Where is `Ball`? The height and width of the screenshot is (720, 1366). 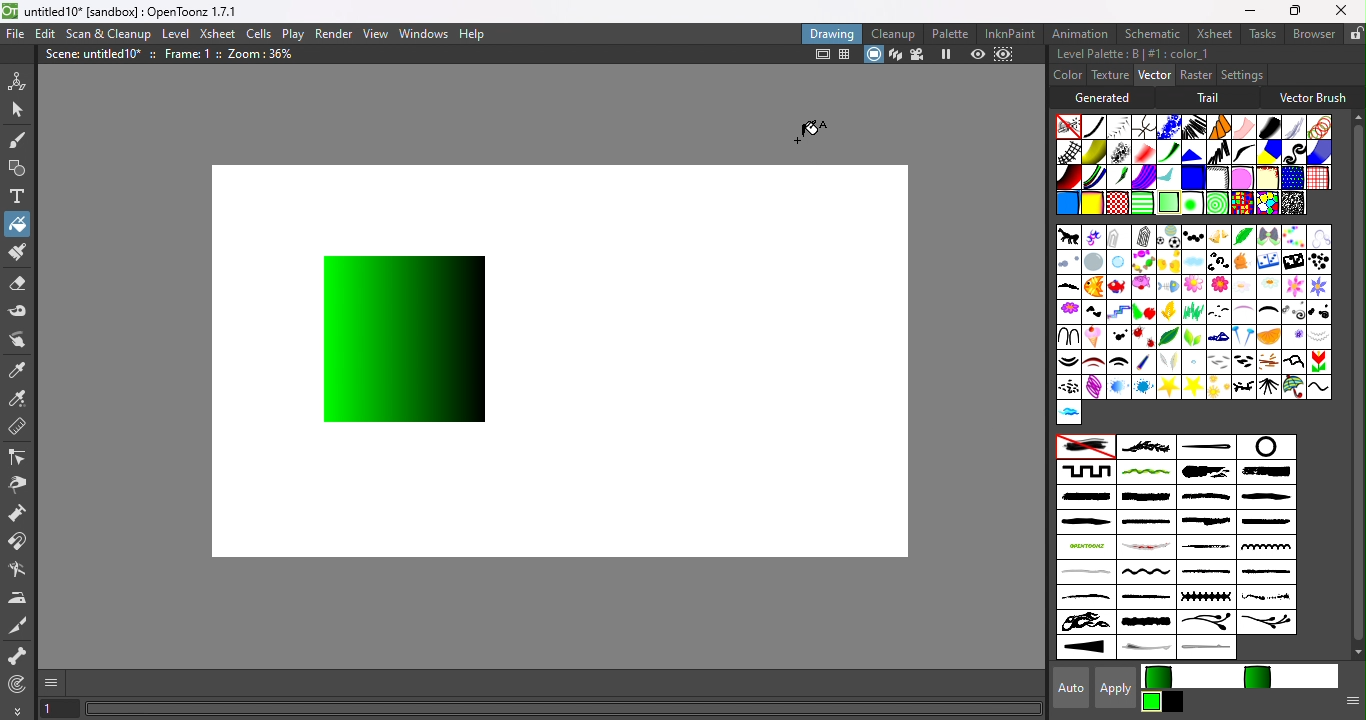 Ball is located at coordinates (1191, 237).